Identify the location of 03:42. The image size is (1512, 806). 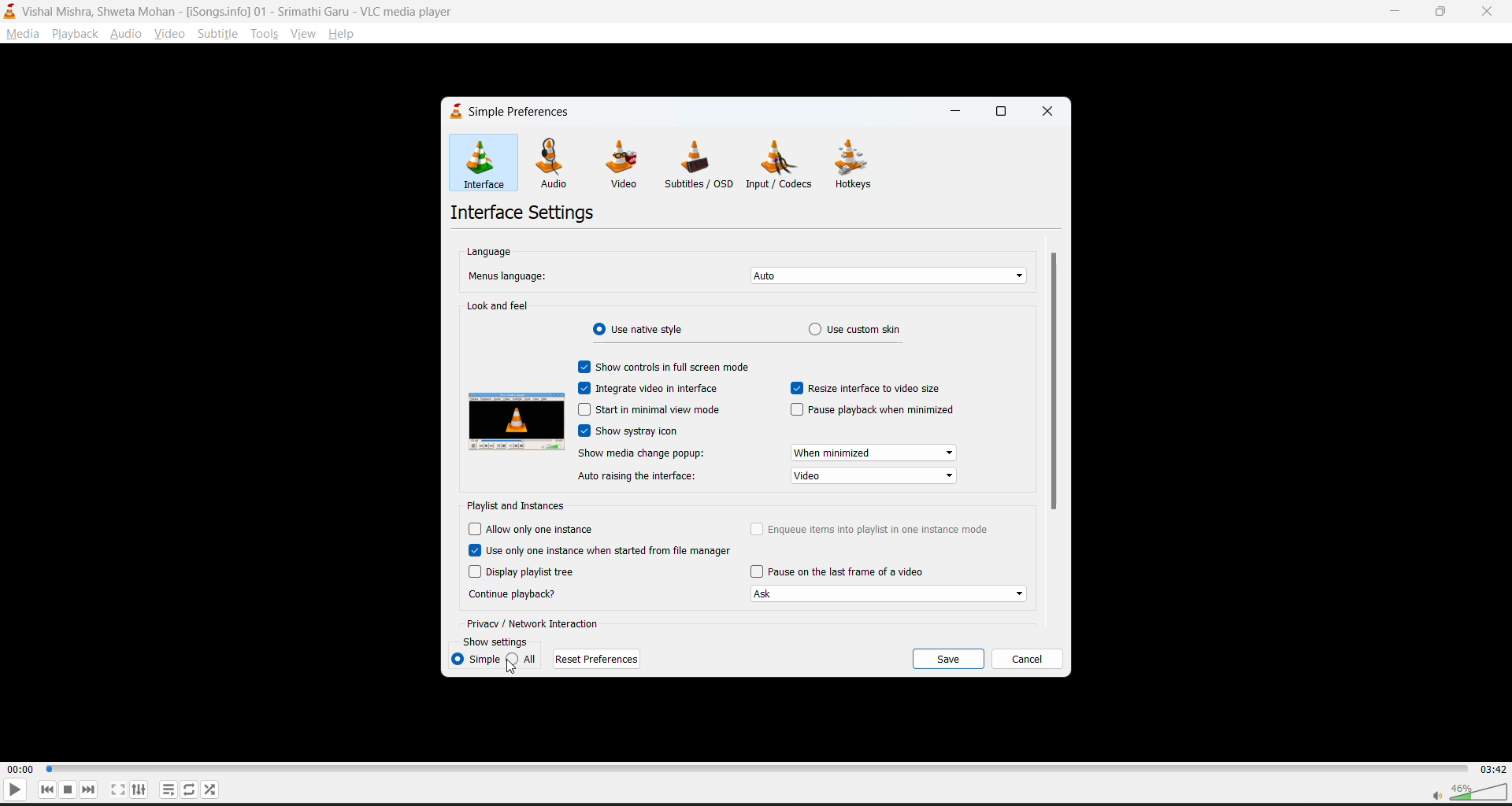
(1492, 767).